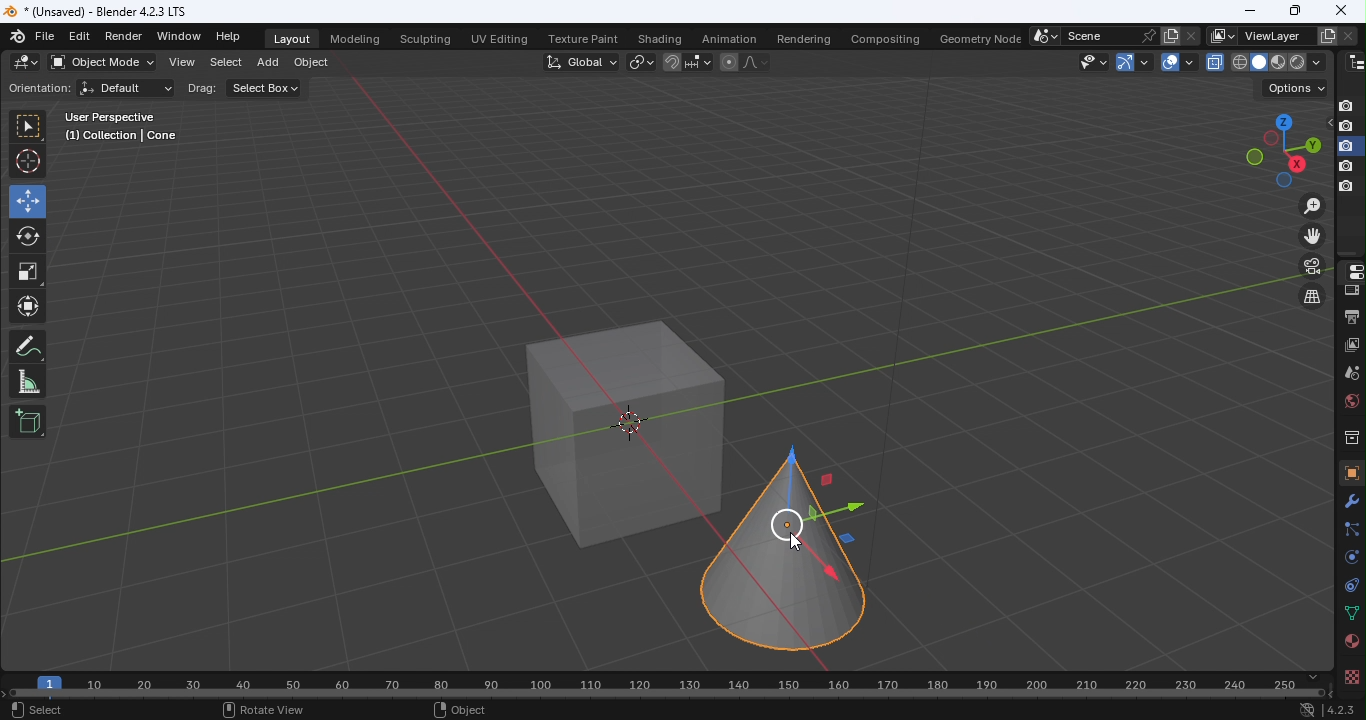 The height and width of the screenshot is (720, 1366). I want to click on Annotate, so click(27, 349).